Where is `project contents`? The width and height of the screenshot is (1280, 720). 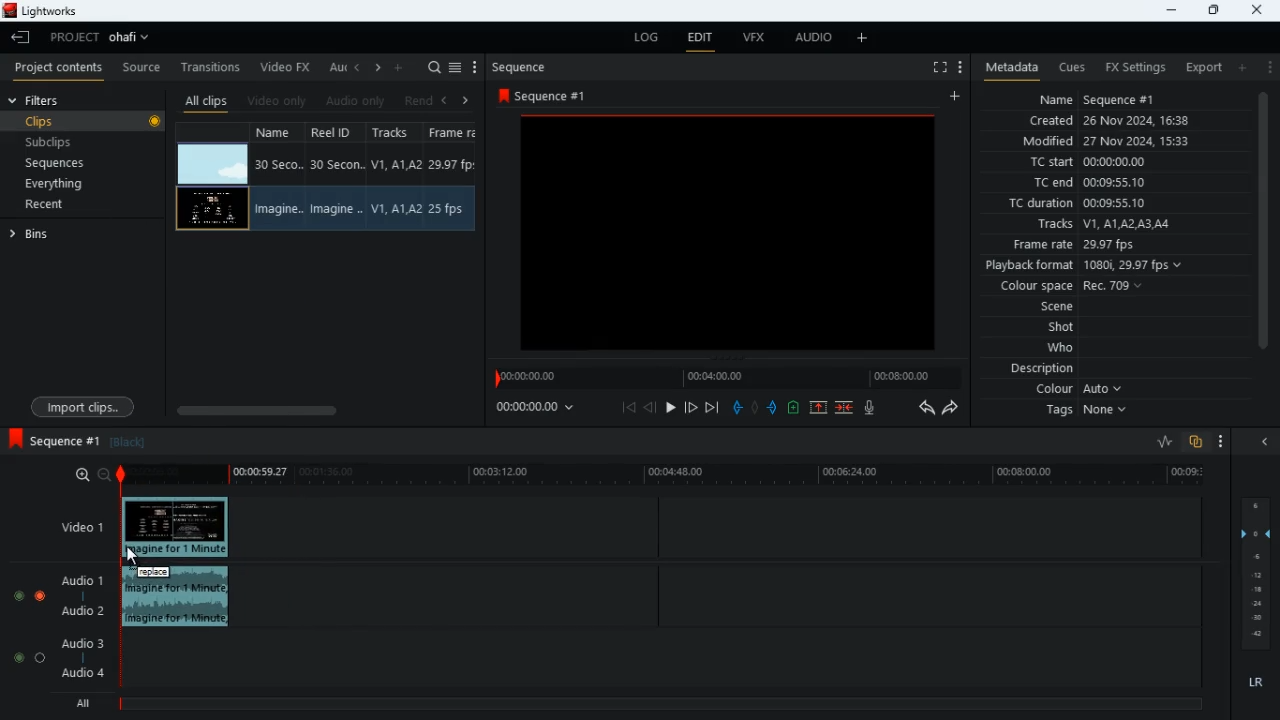
project contents is located at coordinates (63, 68).